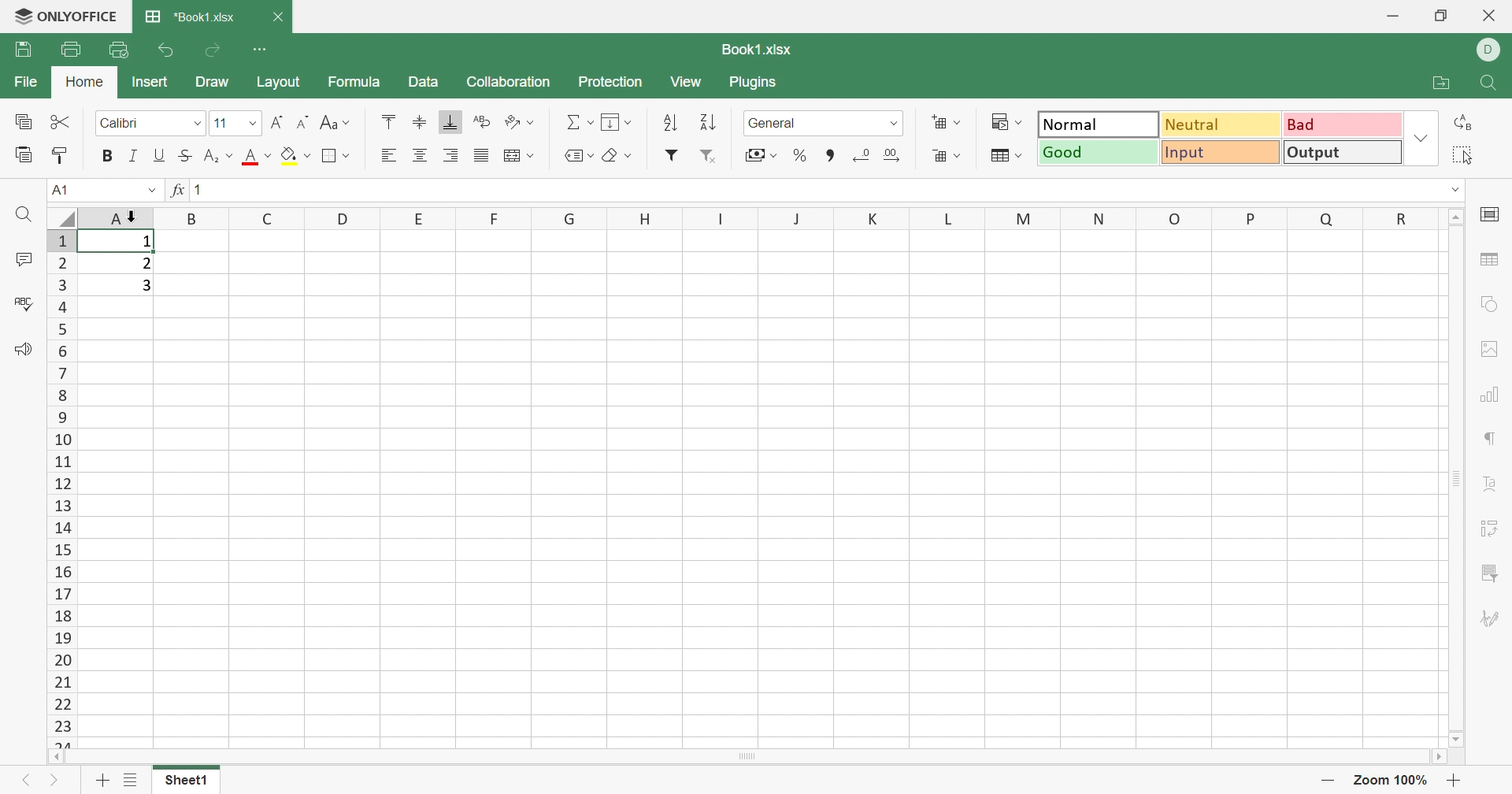 Image resolution: width=1512 pixels, height=794 pixels. I want to click on Percent style, so click(799, 156).